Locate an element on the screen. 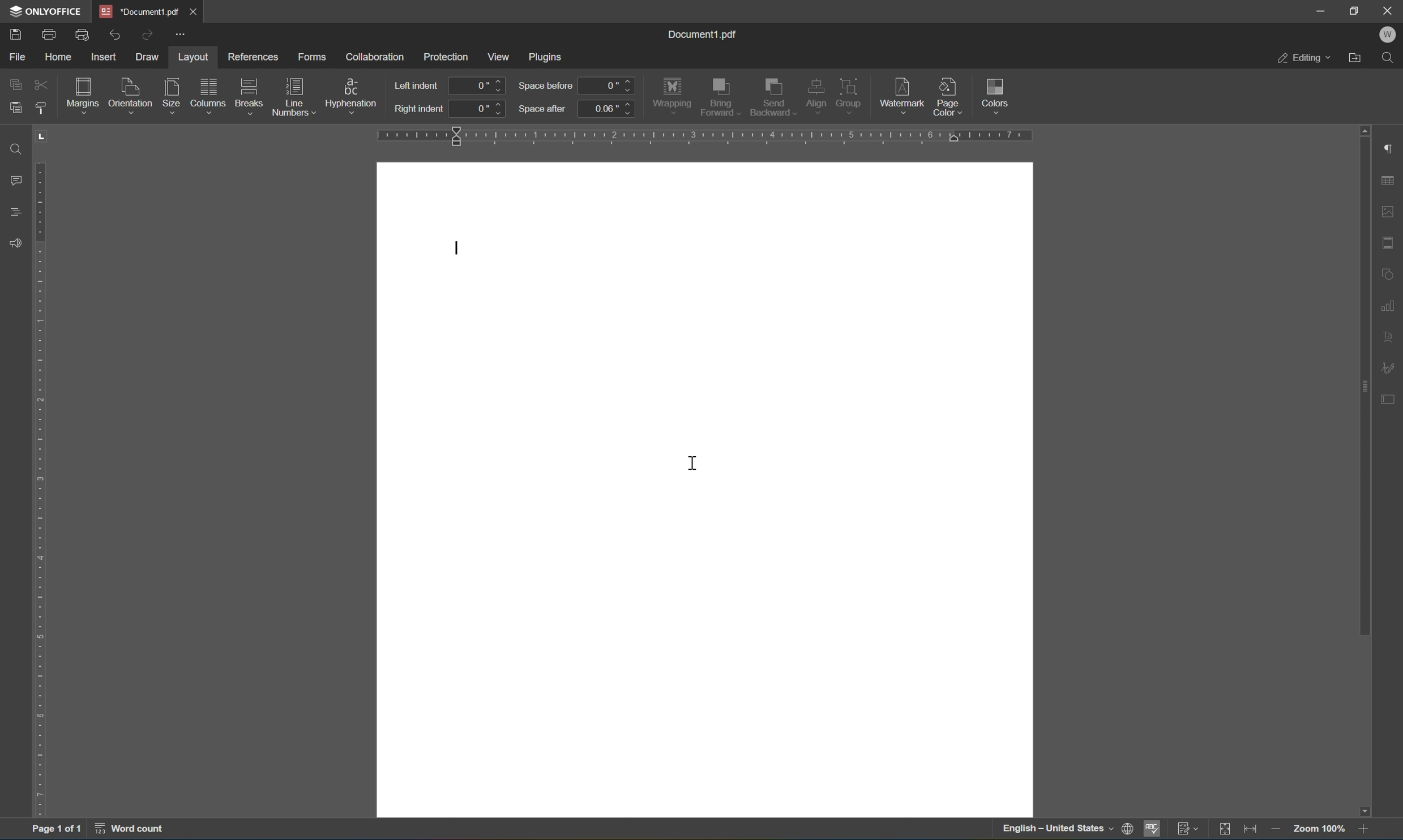 This screenshot has width=1403, height=840. right indent is located at coordinates (418, 110).